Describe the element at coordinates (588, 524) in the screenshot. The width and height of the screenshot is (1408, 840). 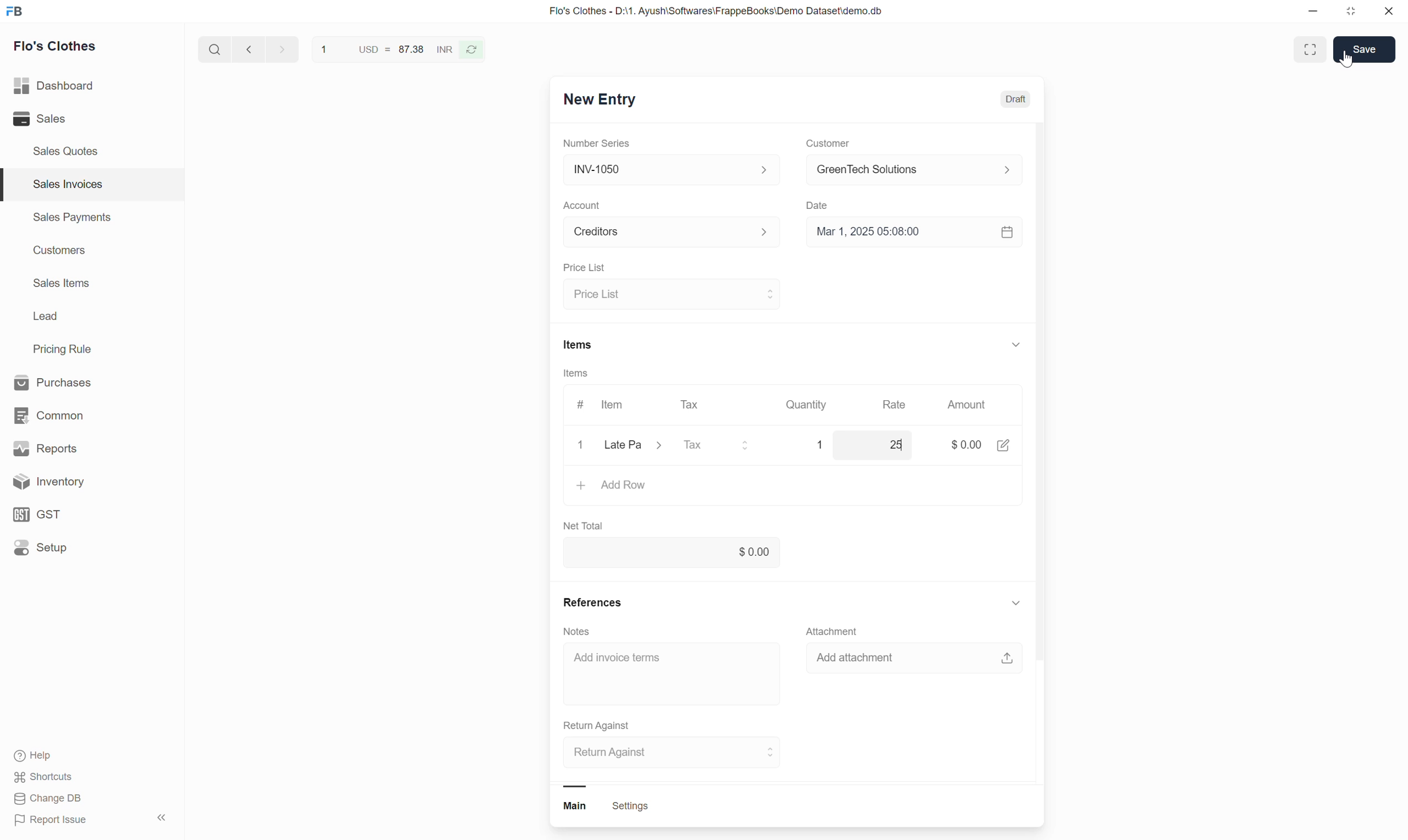
I see `Net Total` at that location.